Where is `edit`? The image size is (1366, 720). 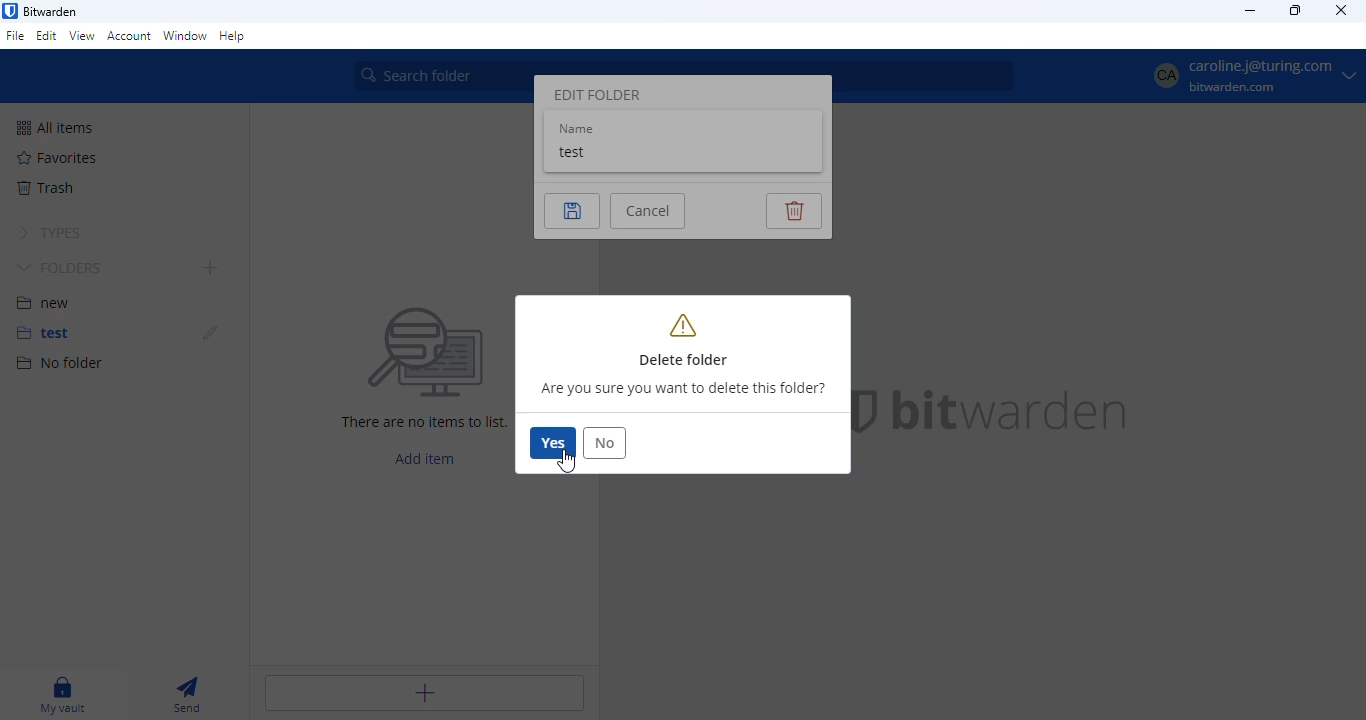
edit is located at coordinates (210, 332).